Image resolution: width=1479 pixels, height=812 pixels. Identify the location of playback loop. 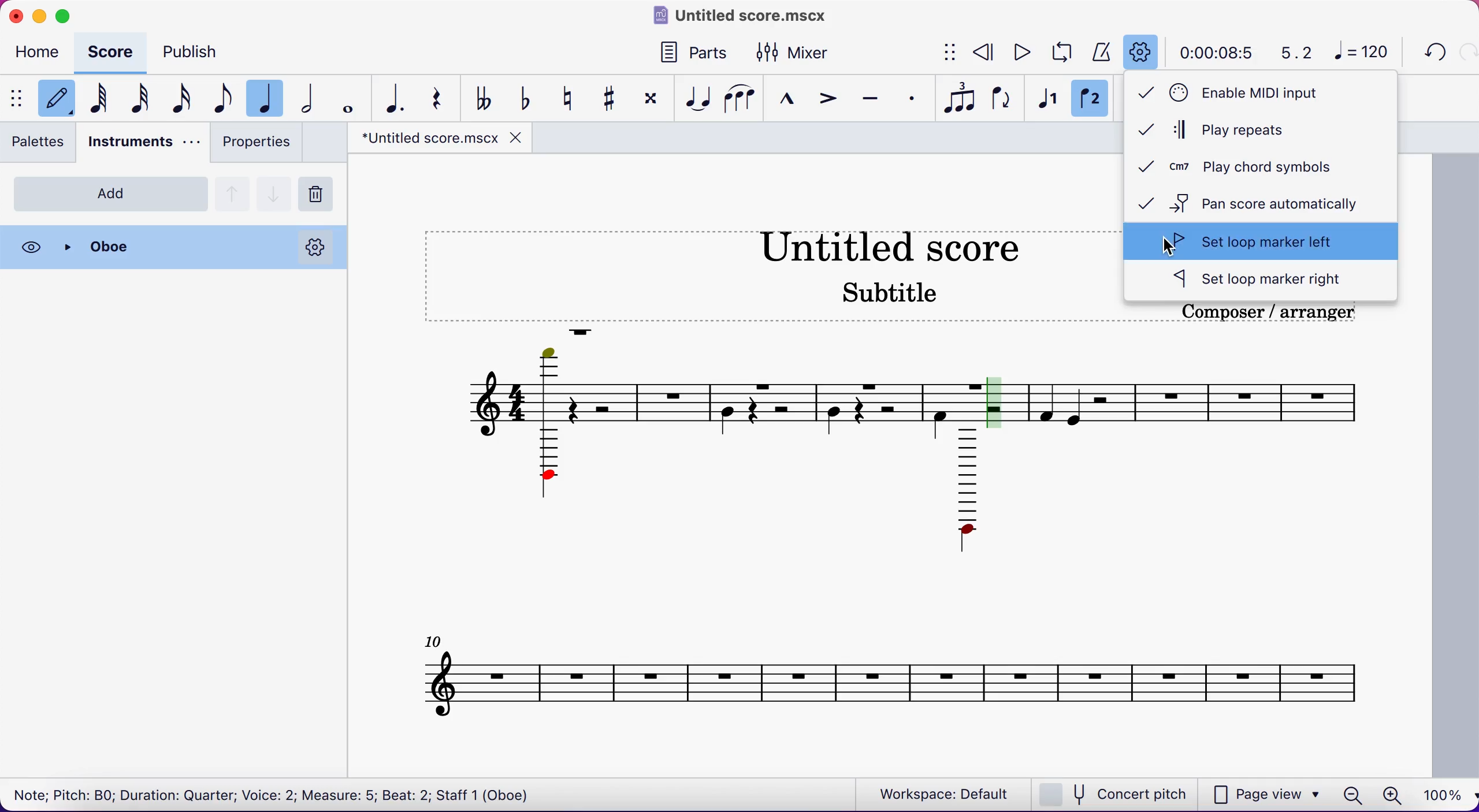
(1063, 53).